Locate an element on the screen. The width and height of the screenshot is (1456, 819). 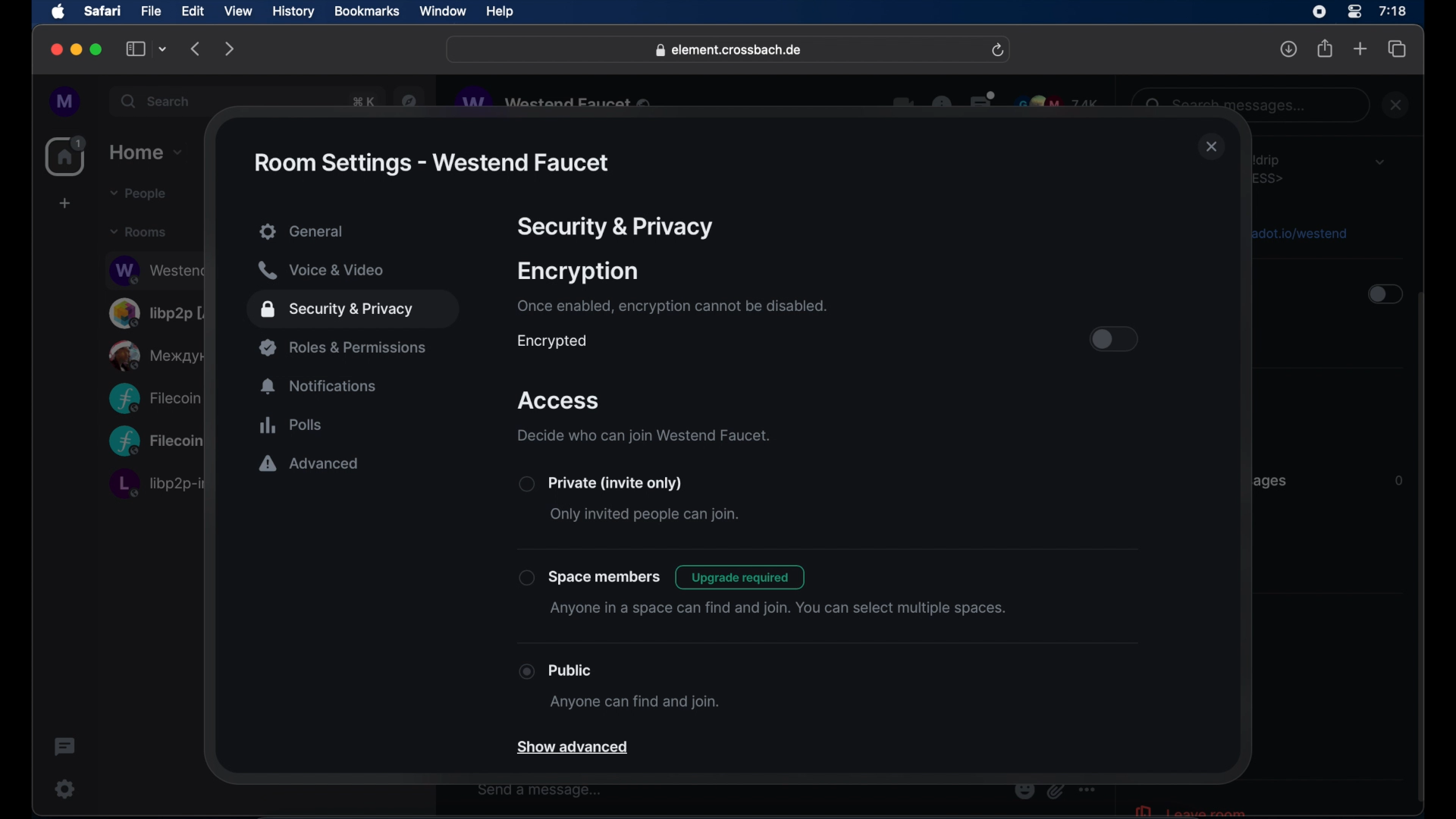
view is located at coordinates (237, 11).